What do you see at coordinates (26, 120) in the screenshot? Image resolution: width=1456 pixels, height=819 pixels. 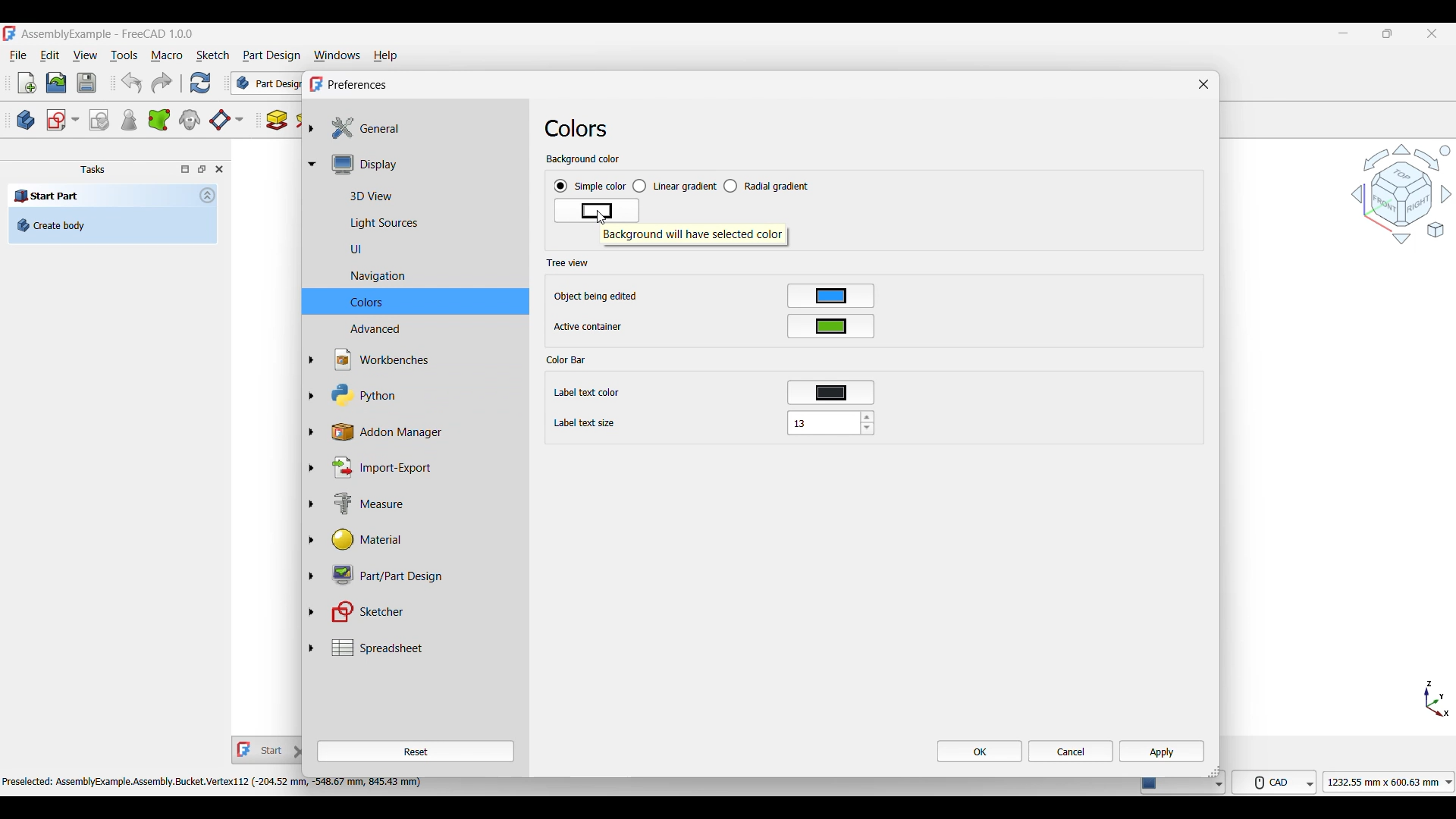 I see `Create body` at bounding box center [26, 120].